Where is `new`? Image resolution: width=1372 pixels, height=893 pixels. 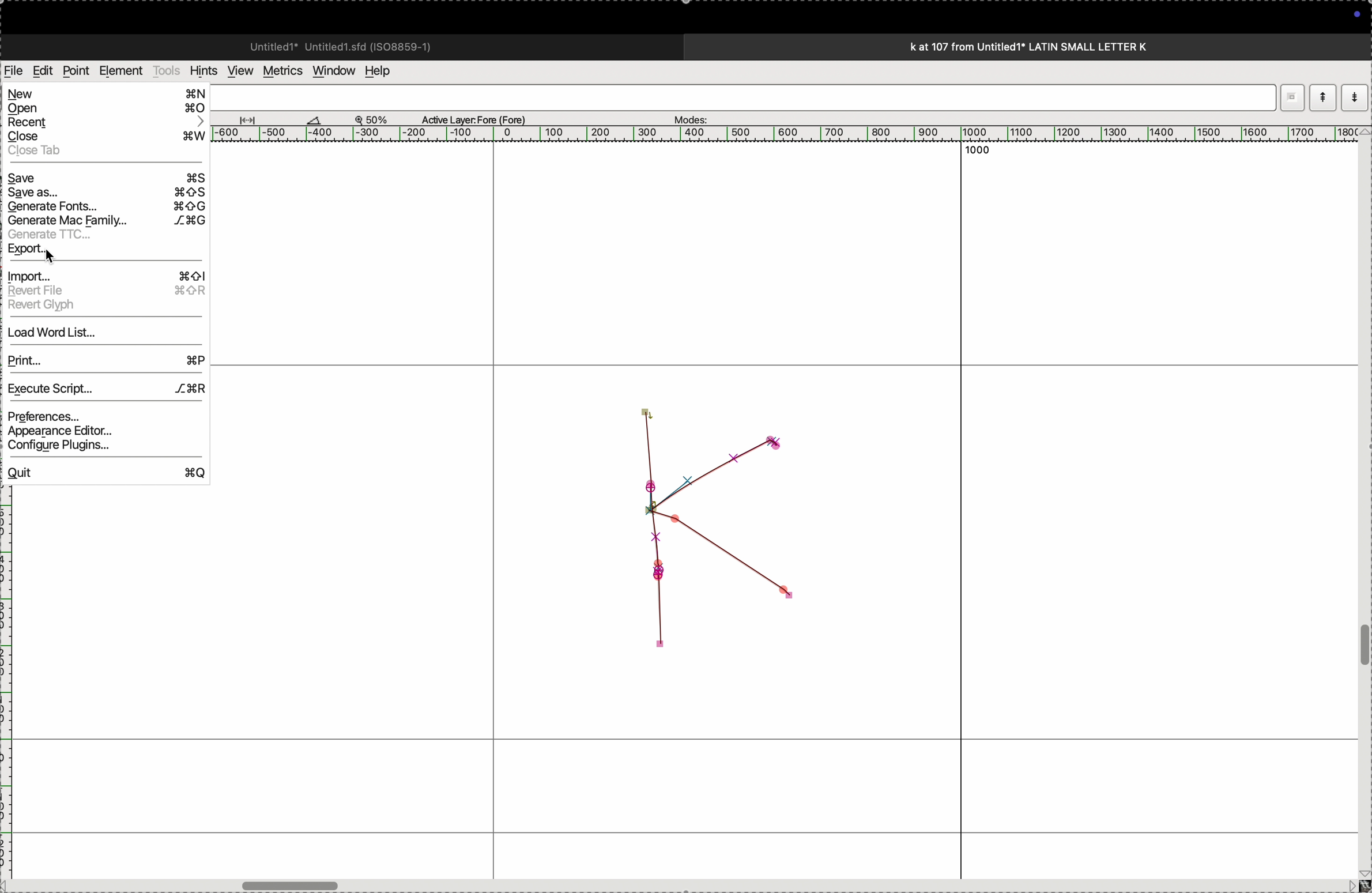 new is located at coordinates (111, 96).